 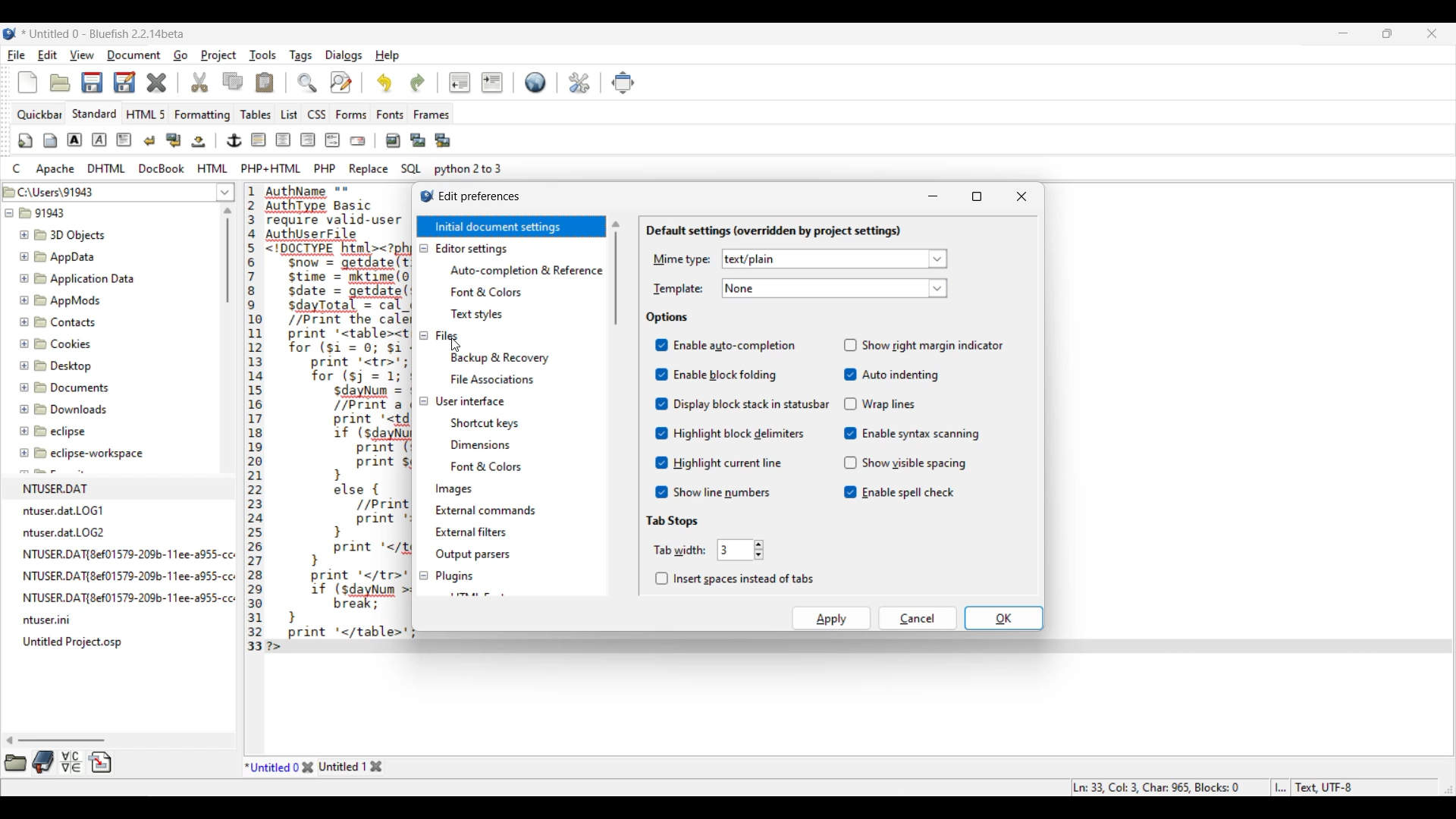 I want to click on View menu, so click(x=82, y=55).